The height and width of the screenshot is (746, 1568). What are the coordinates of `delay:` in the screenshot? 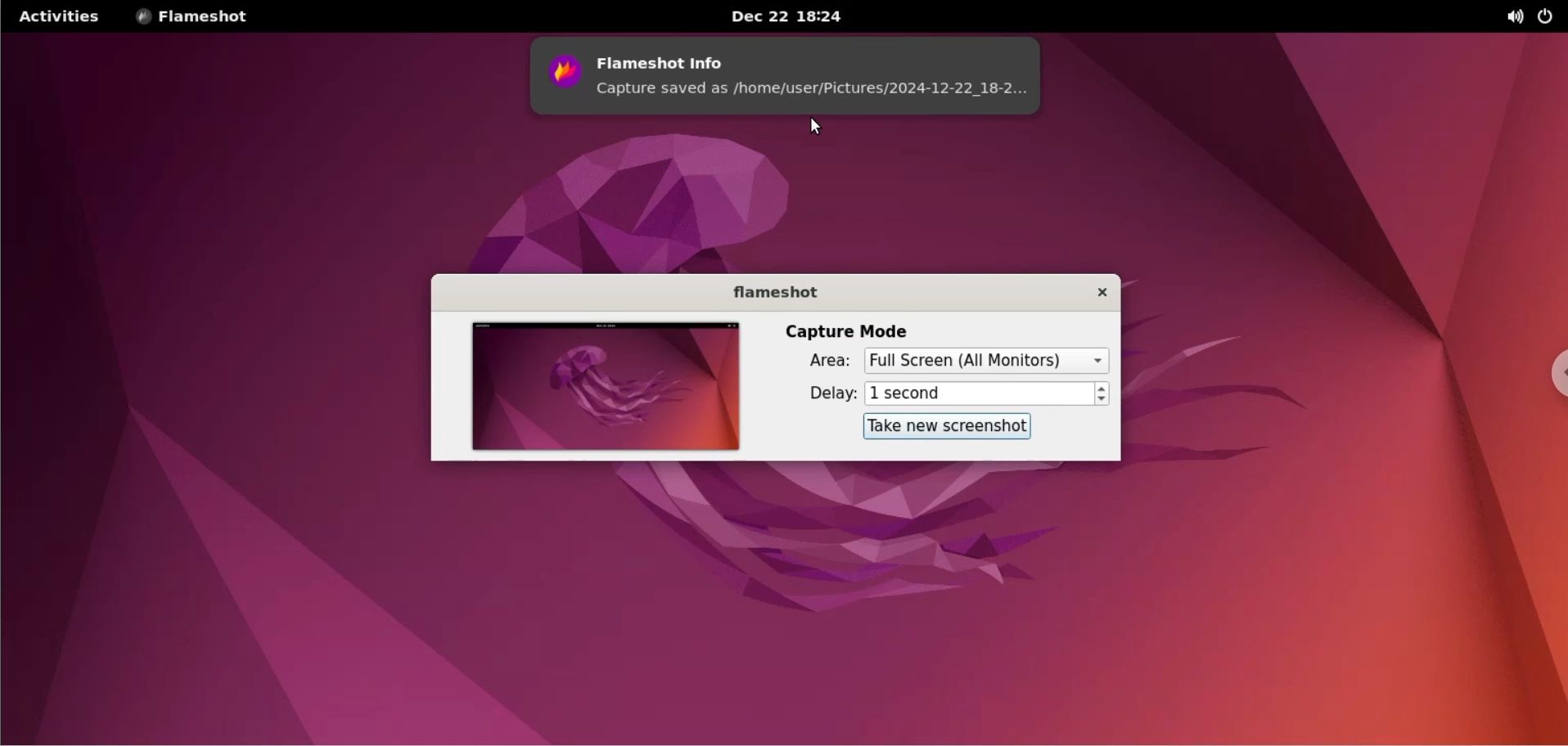 It's located at (819, 392).